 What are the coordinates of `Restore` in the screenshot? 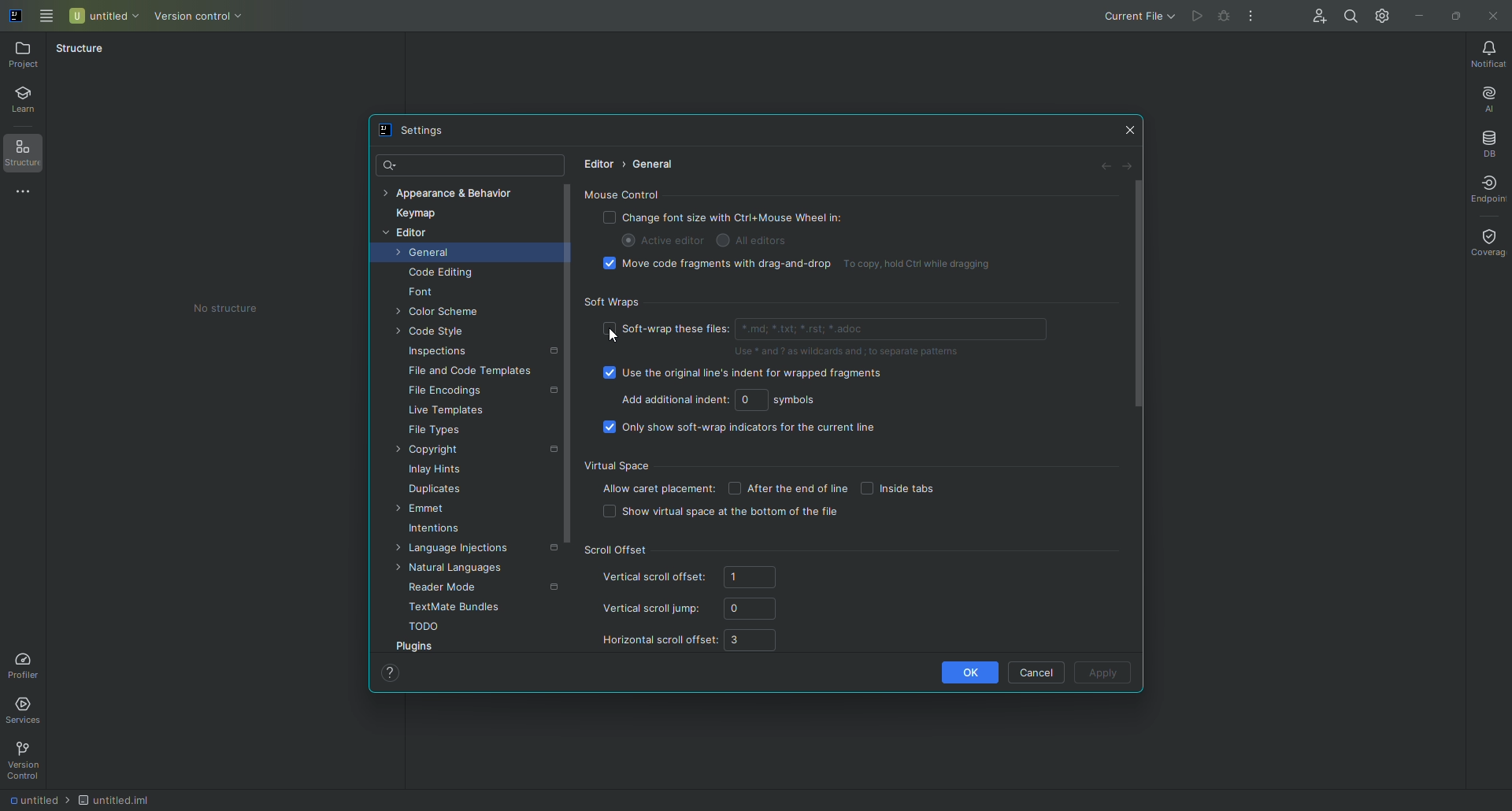 It's located at (1454, 14).